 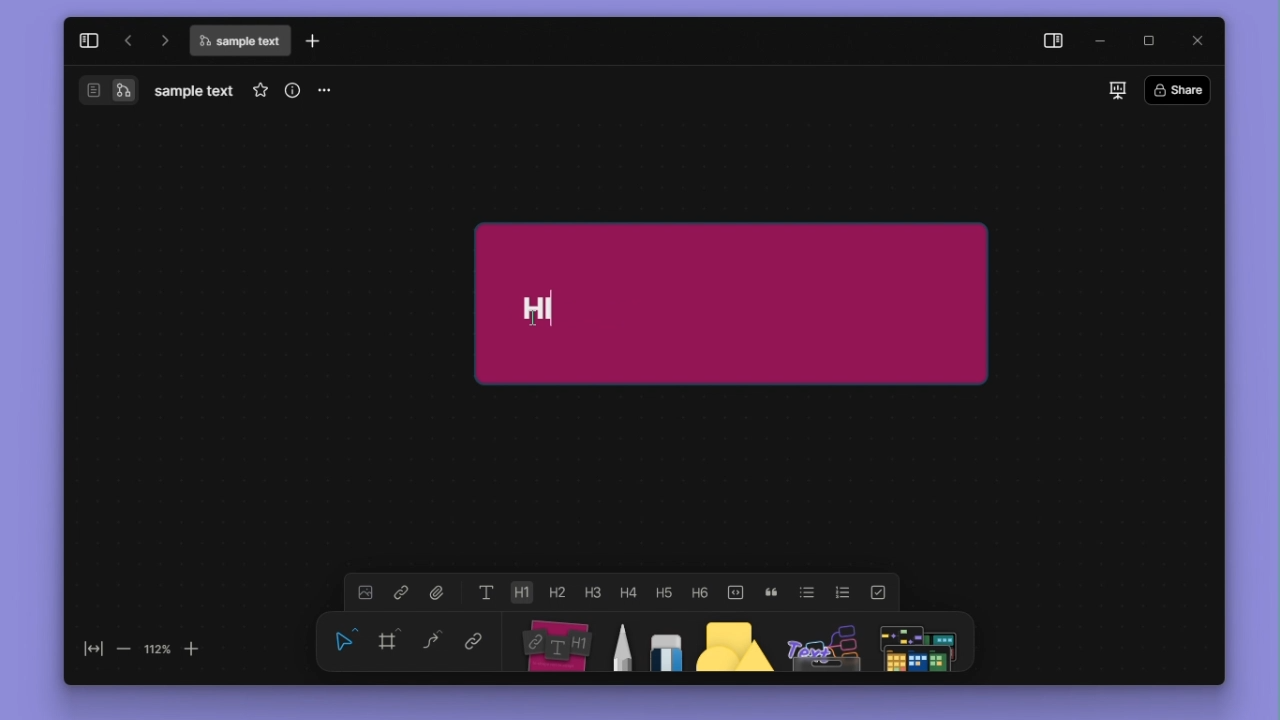 I want to click on Heading 1, so click(x=521, y=592).